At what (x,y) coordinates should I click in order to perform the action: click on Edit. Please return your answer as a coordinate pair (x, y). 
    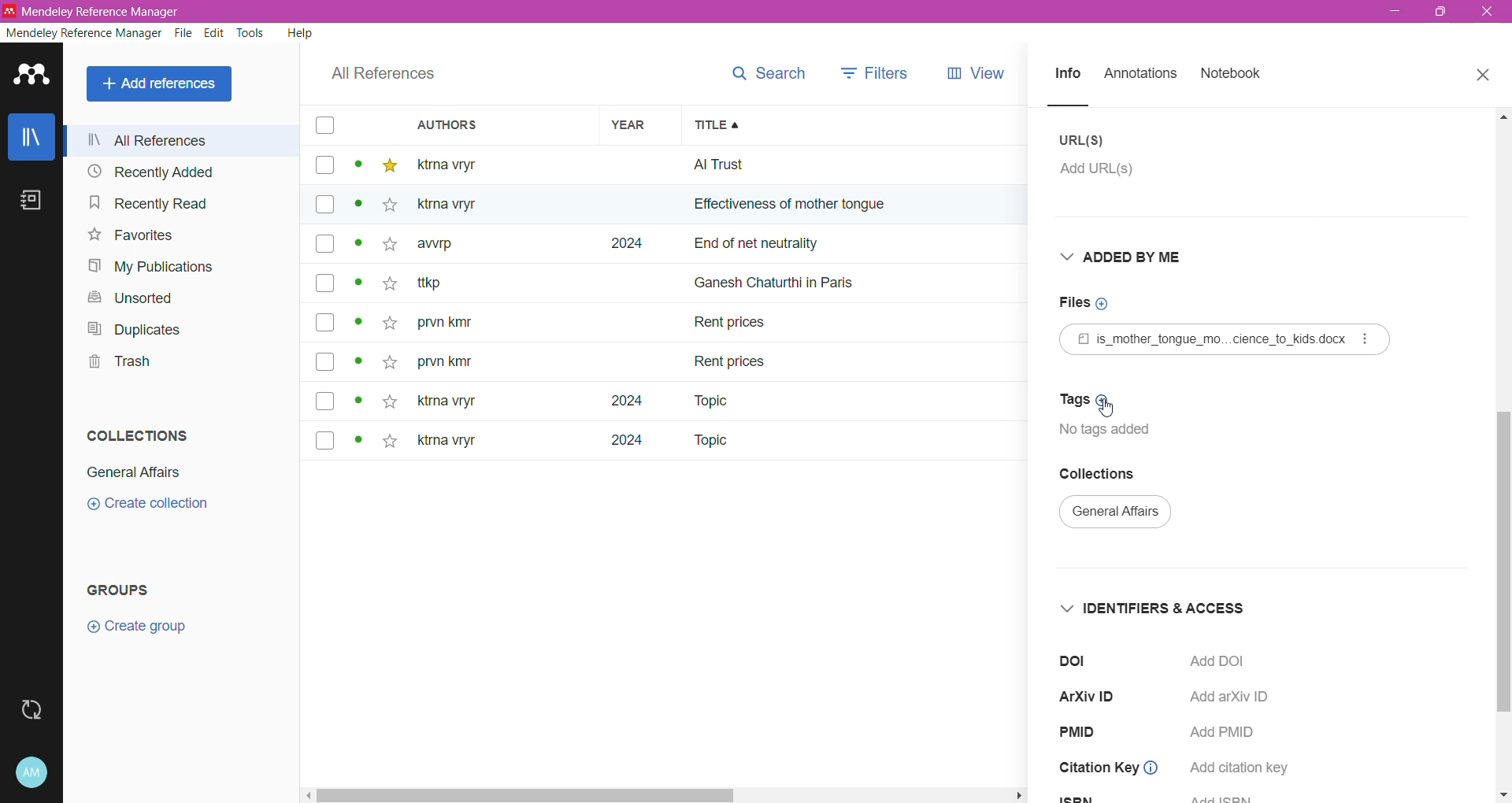
    Looking at the image, I should click on (216, 33).